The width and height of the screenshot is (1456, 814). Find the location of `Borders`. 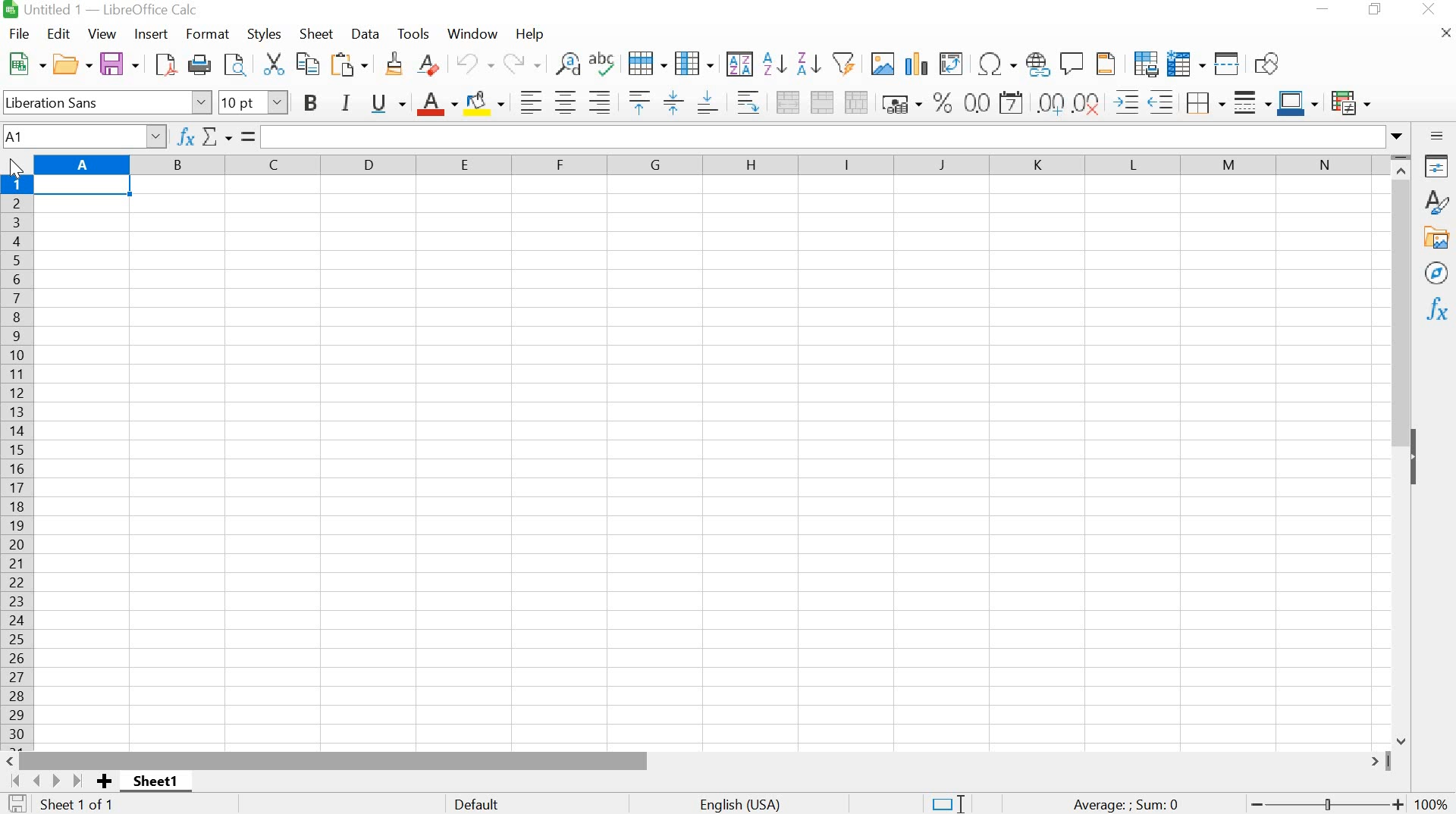

Borders is located at coordinates (1203, 102).